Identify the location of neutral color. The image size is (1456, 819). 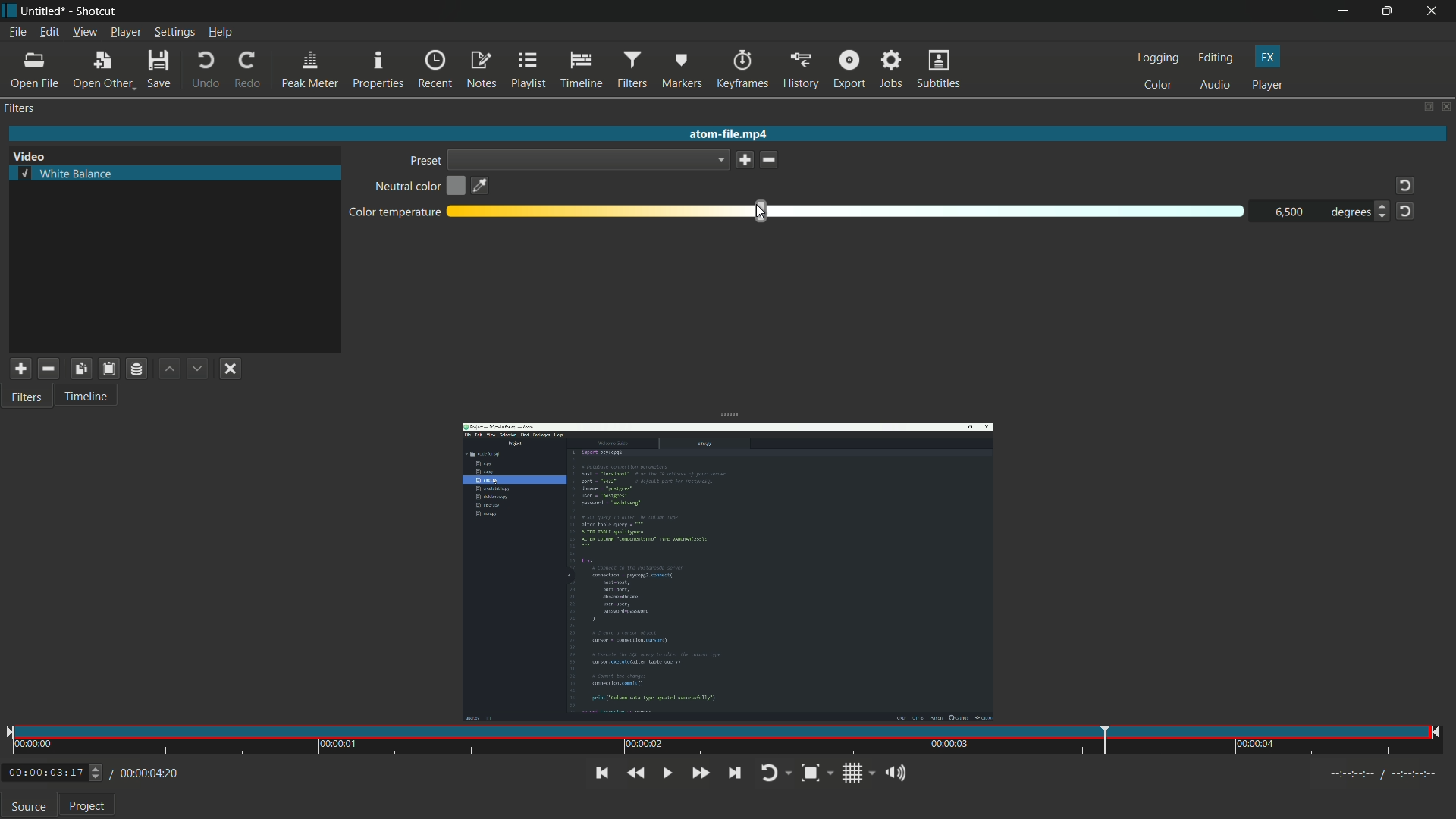
(406, 187).